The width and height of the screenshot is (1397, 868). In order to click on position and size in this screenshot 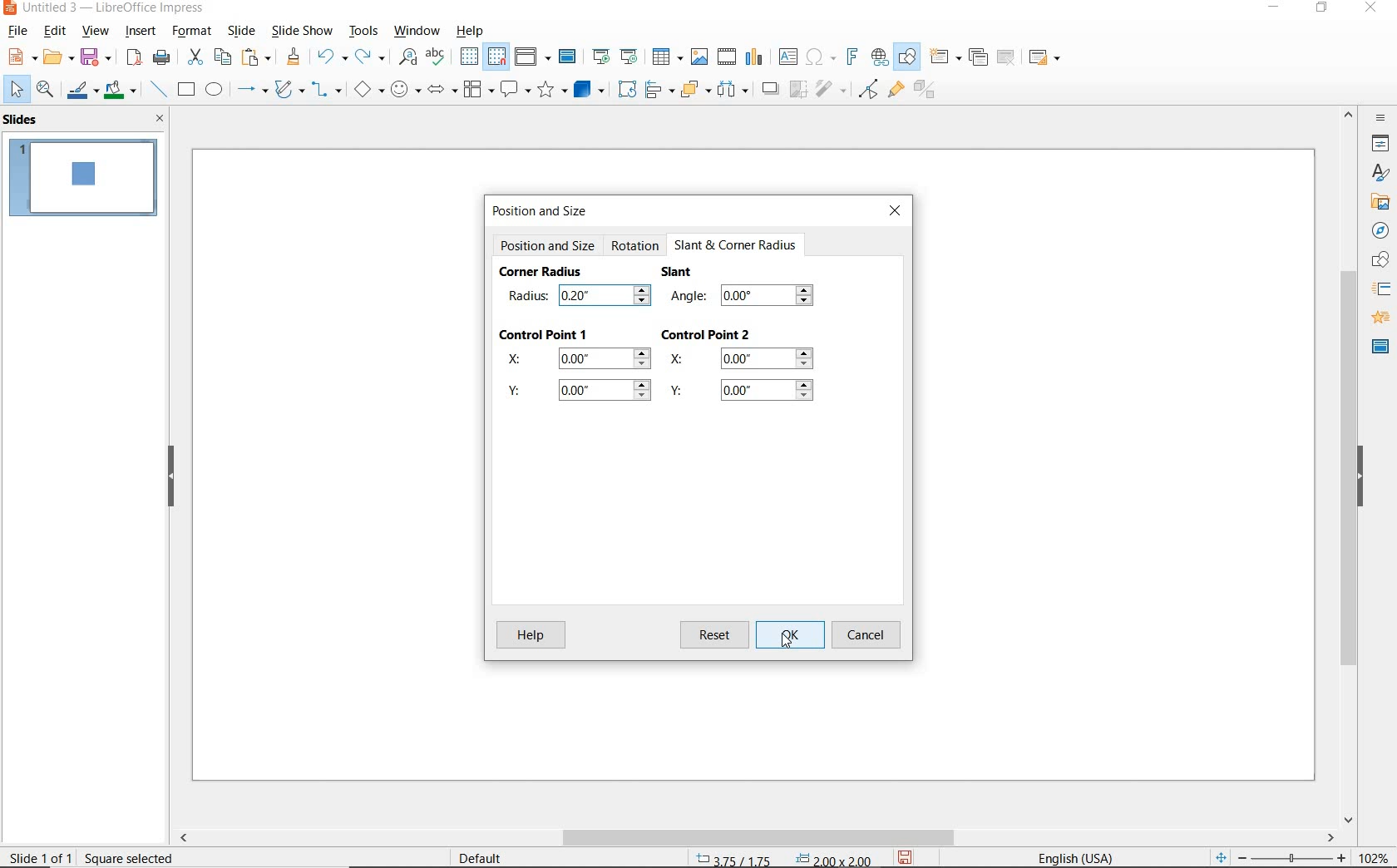, I will do `click(778, 856)`.